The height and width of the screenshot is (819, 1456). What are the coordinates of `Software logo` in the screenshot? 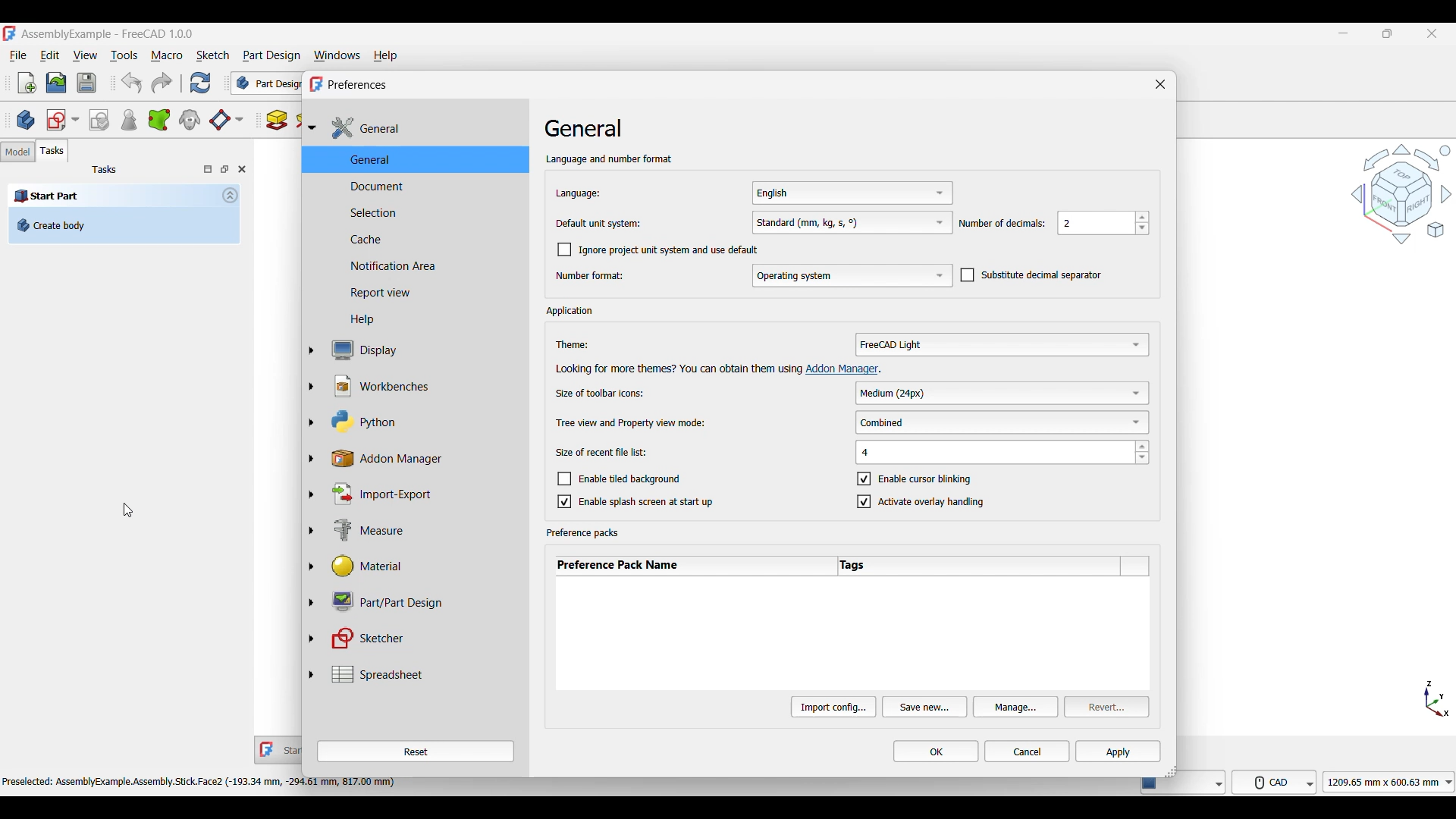 It's located at (10, 33).